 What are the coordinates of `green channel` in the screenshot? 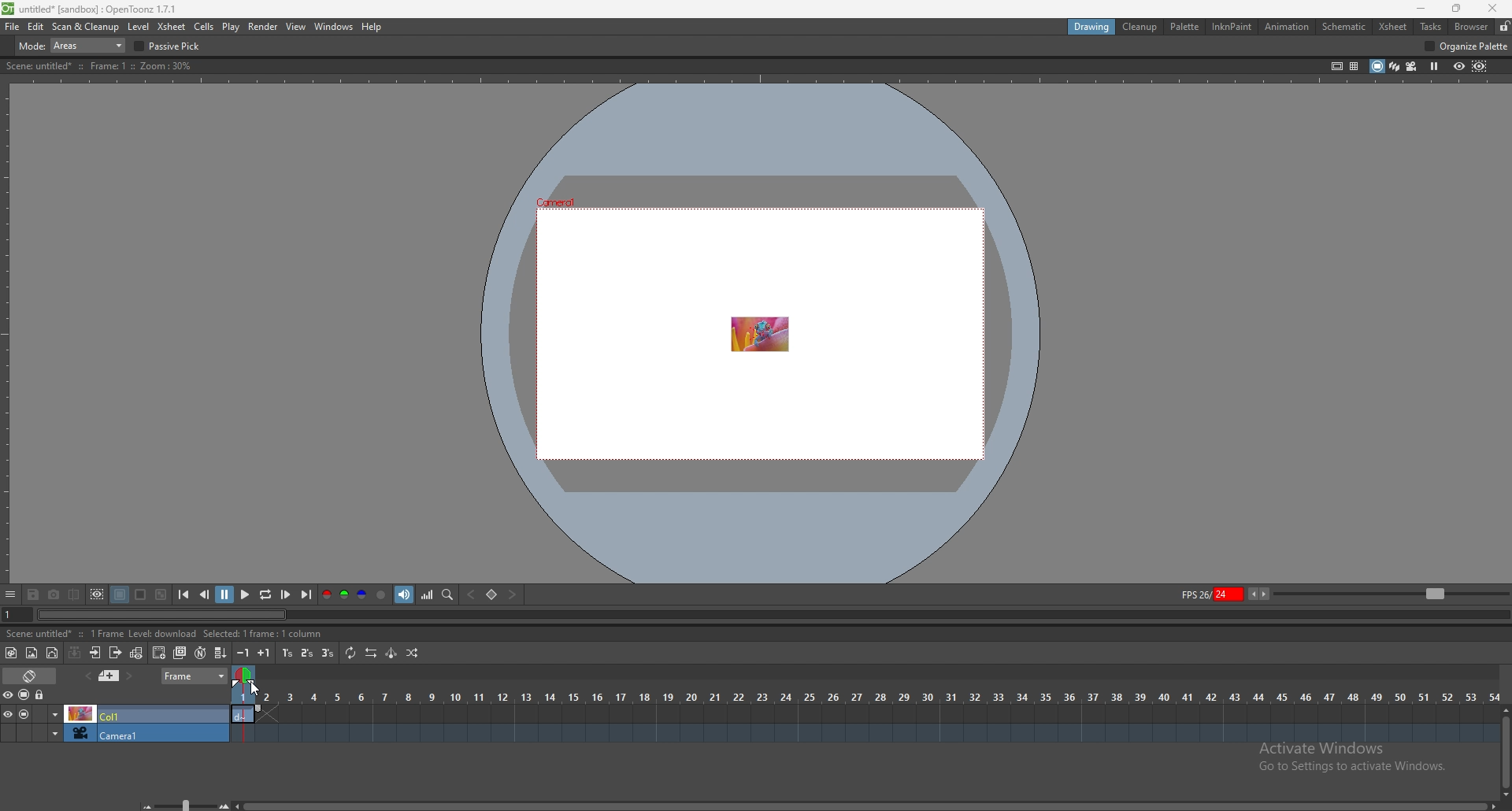 It's located at (345, 594).